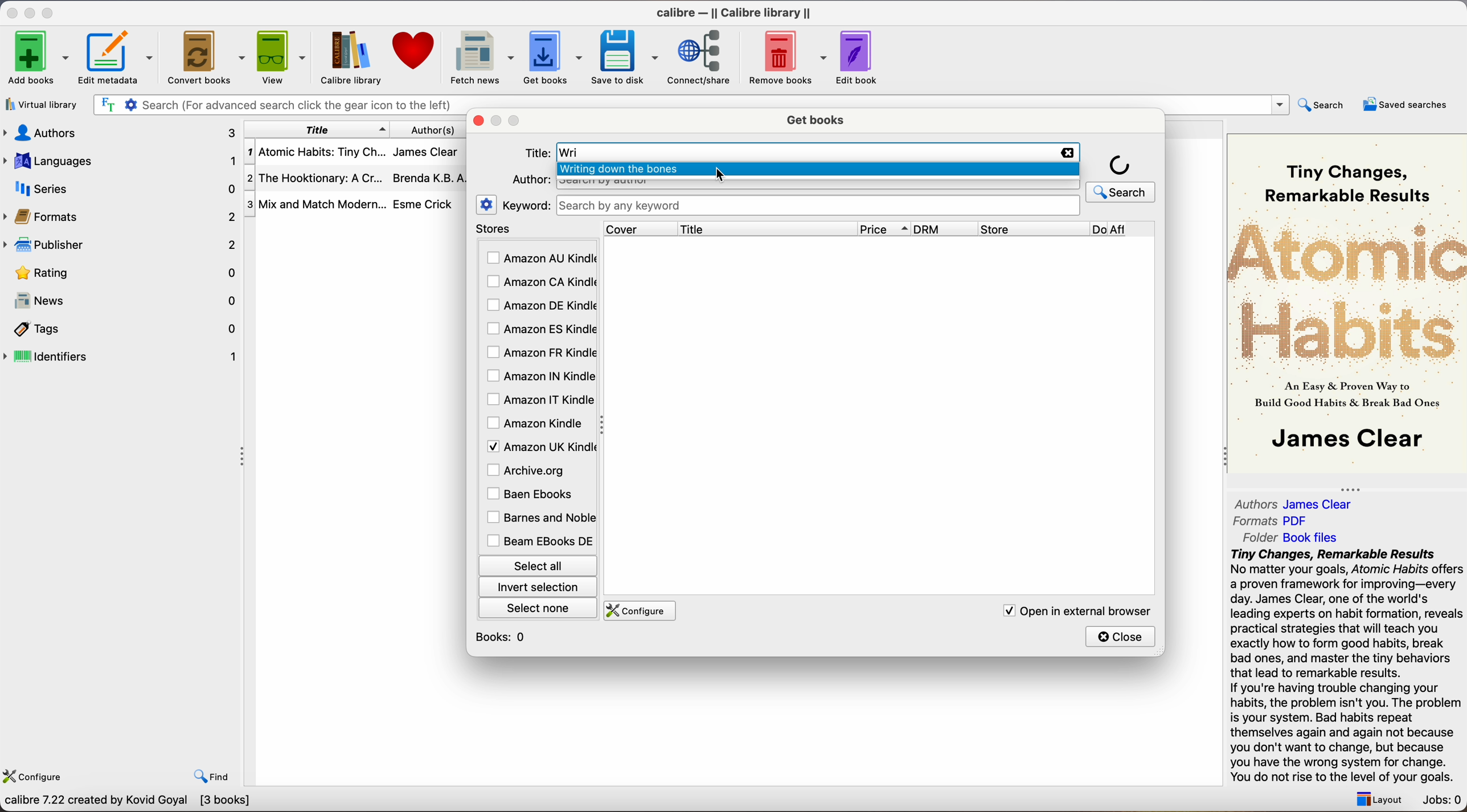 Image resolution: width=1467 pixels, height=812 pixels. Describe the element at coordinates (1323, 104) in the screenshot. I see `search` at that location.